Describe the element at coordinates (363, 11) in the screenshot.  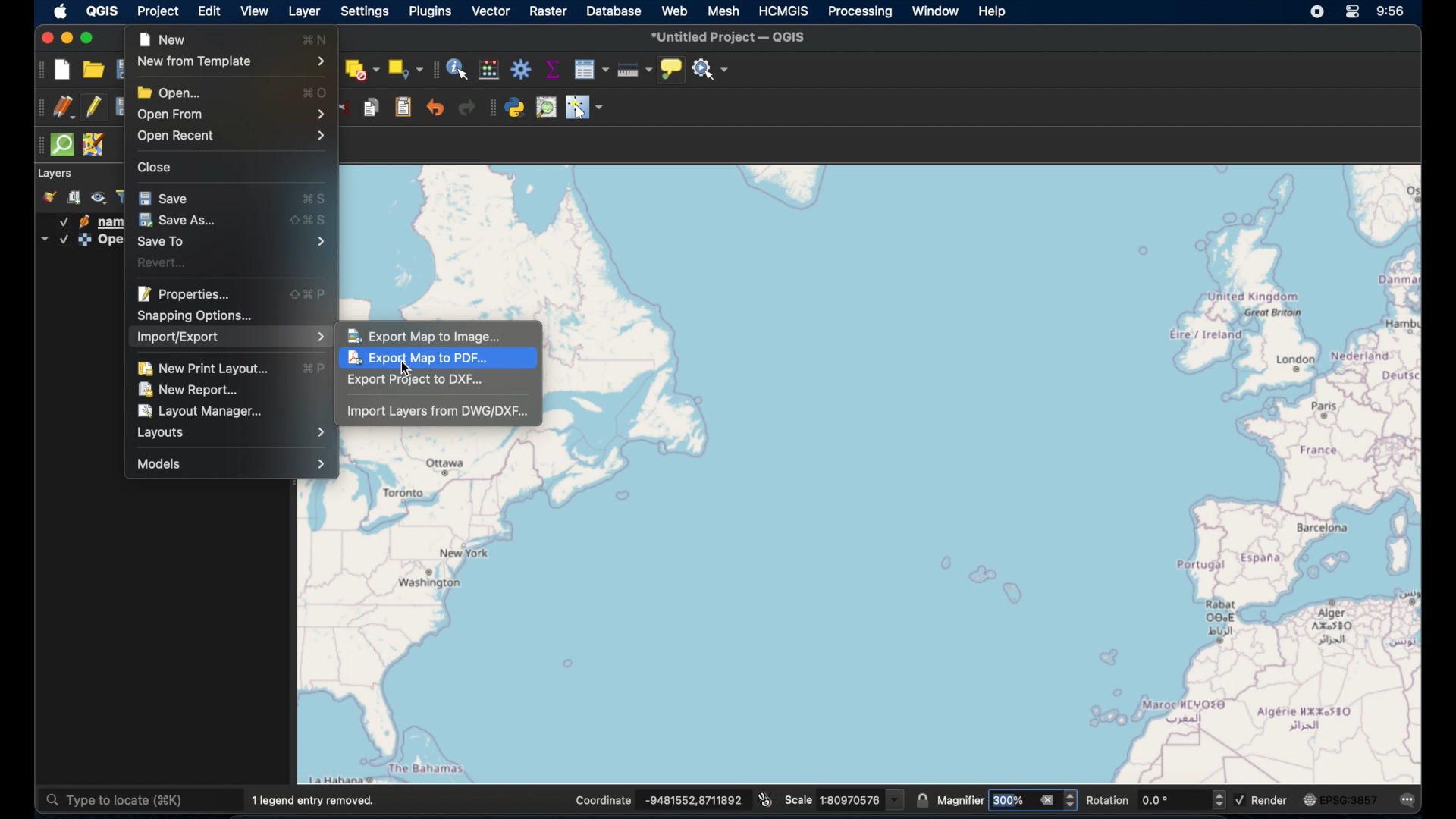
I see `settings` at that location.